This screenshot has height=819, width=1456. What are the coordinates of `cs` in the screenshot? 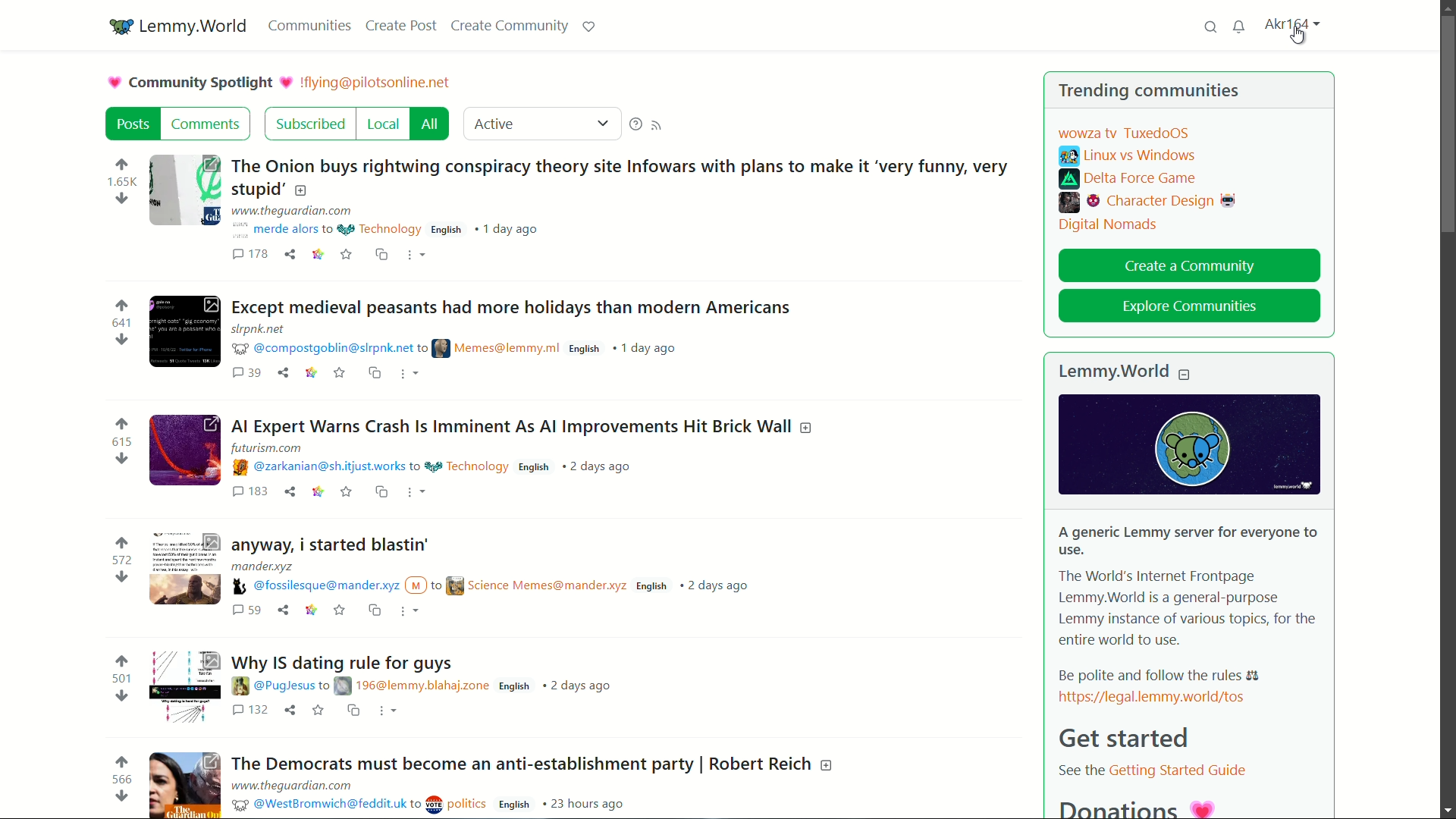 It's located at (352, 709).